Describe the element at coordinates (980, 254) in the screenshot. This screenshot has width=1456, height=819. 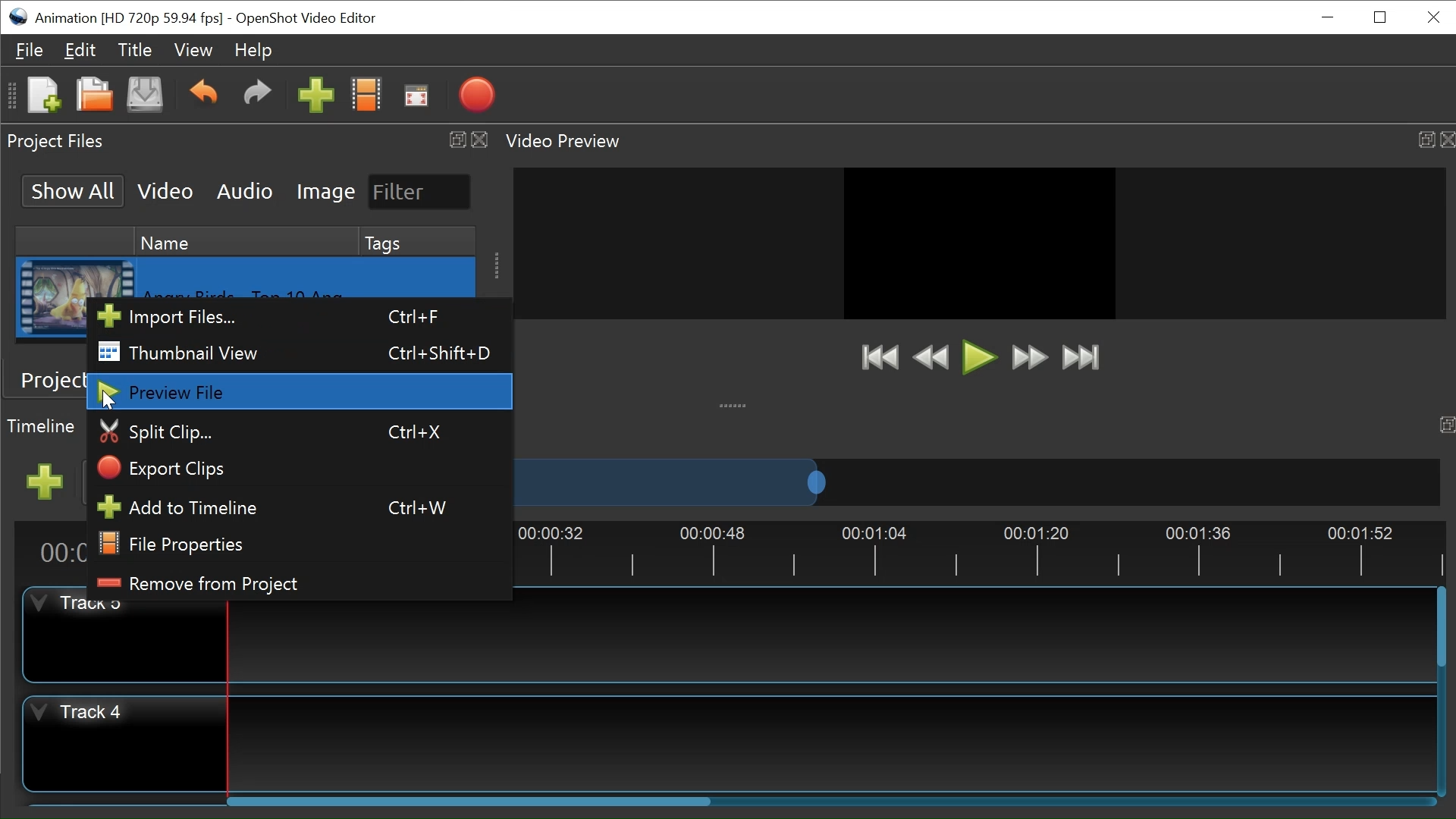
I see `Preview Window` at that location.